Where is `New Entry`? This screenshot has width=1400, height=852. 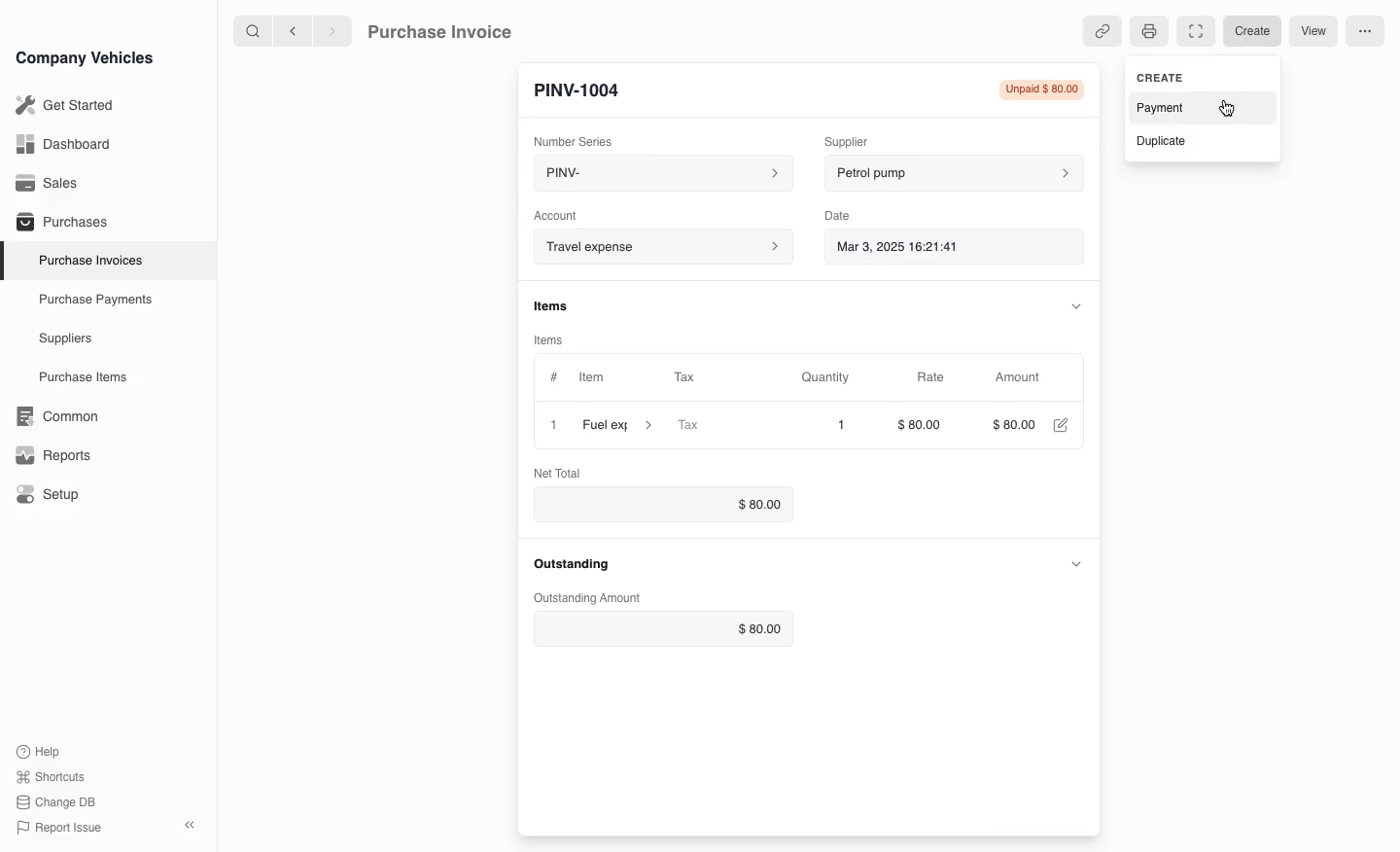 New Entry is located at coordinates (586, 89).